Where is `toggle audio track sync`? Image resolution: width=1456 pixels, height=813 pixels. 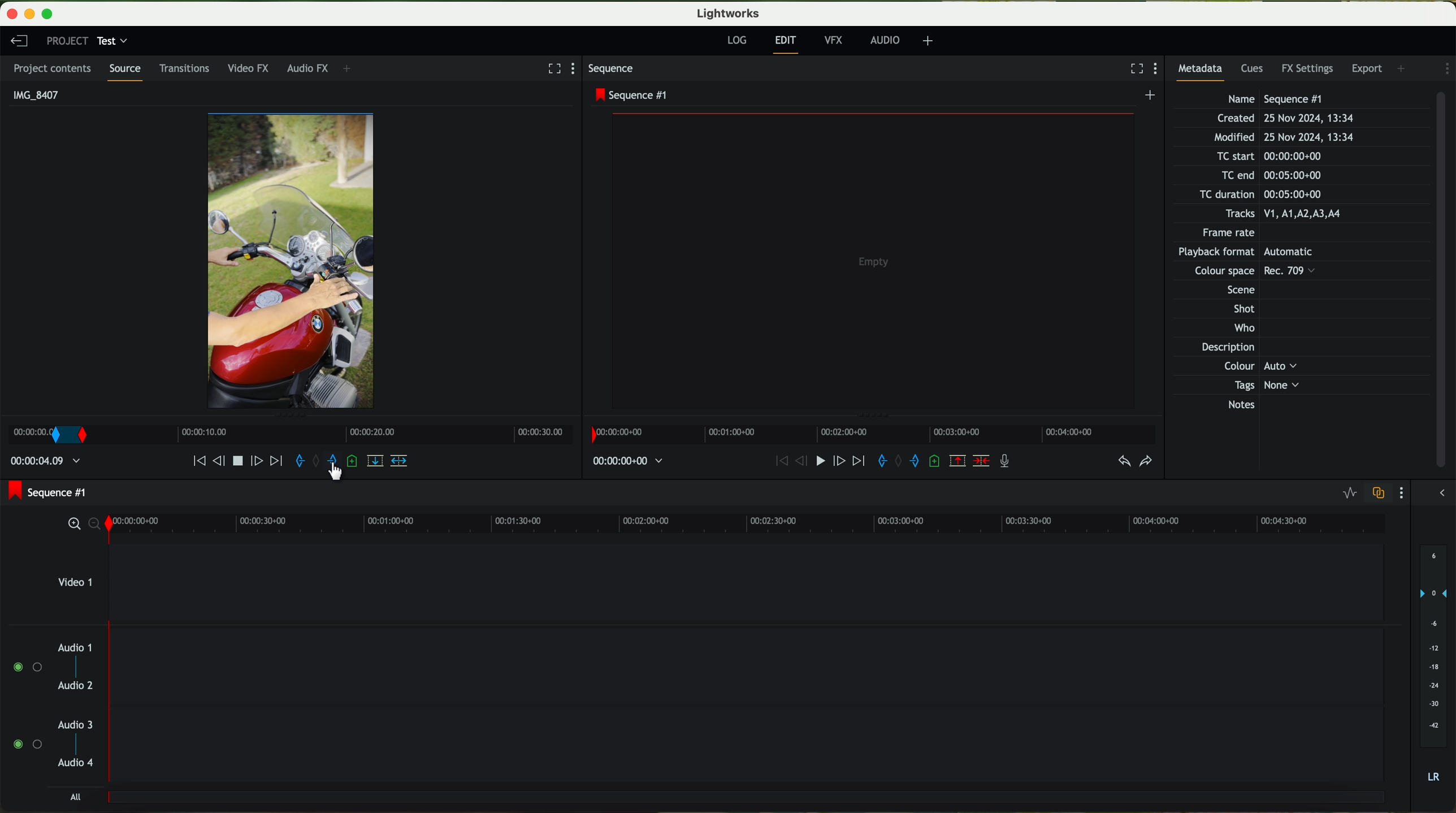 toggle audio track sync is located at coordinates (1380, 493).